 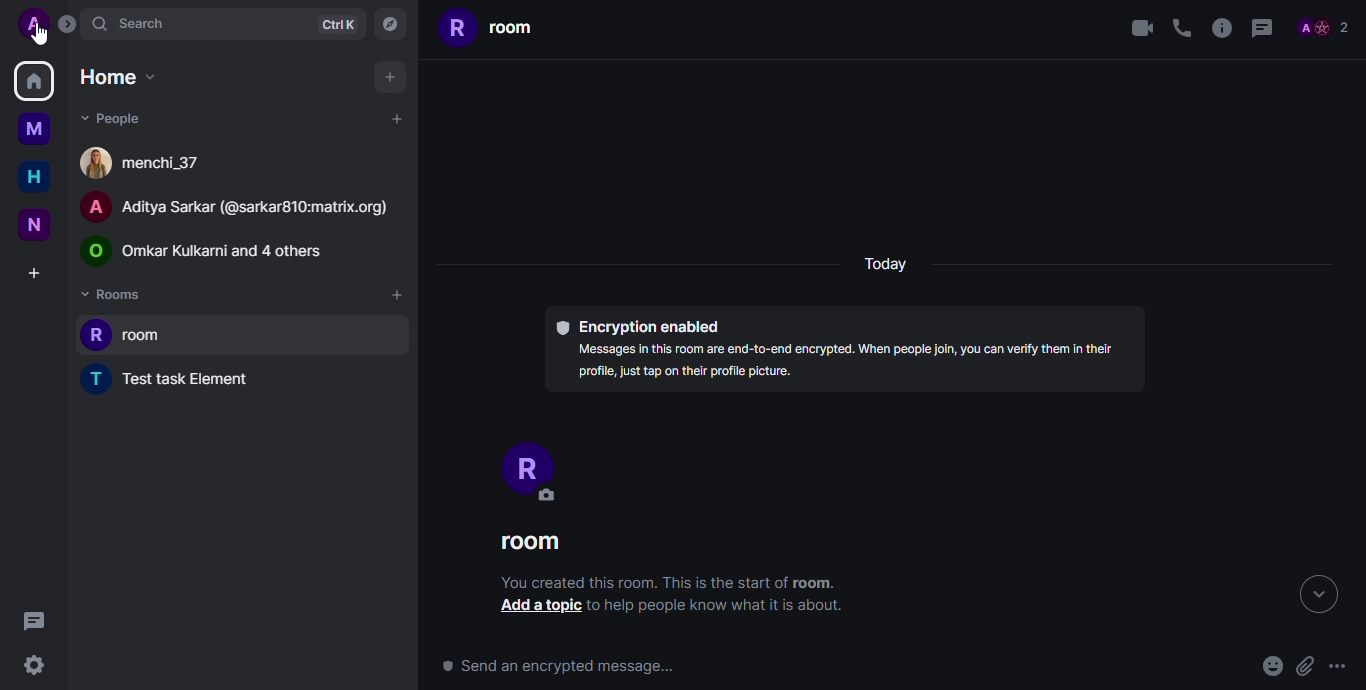 What do you see at coordinates (37, 273) in the screenshot?
I see `create space` at bounding box center [37, 273].